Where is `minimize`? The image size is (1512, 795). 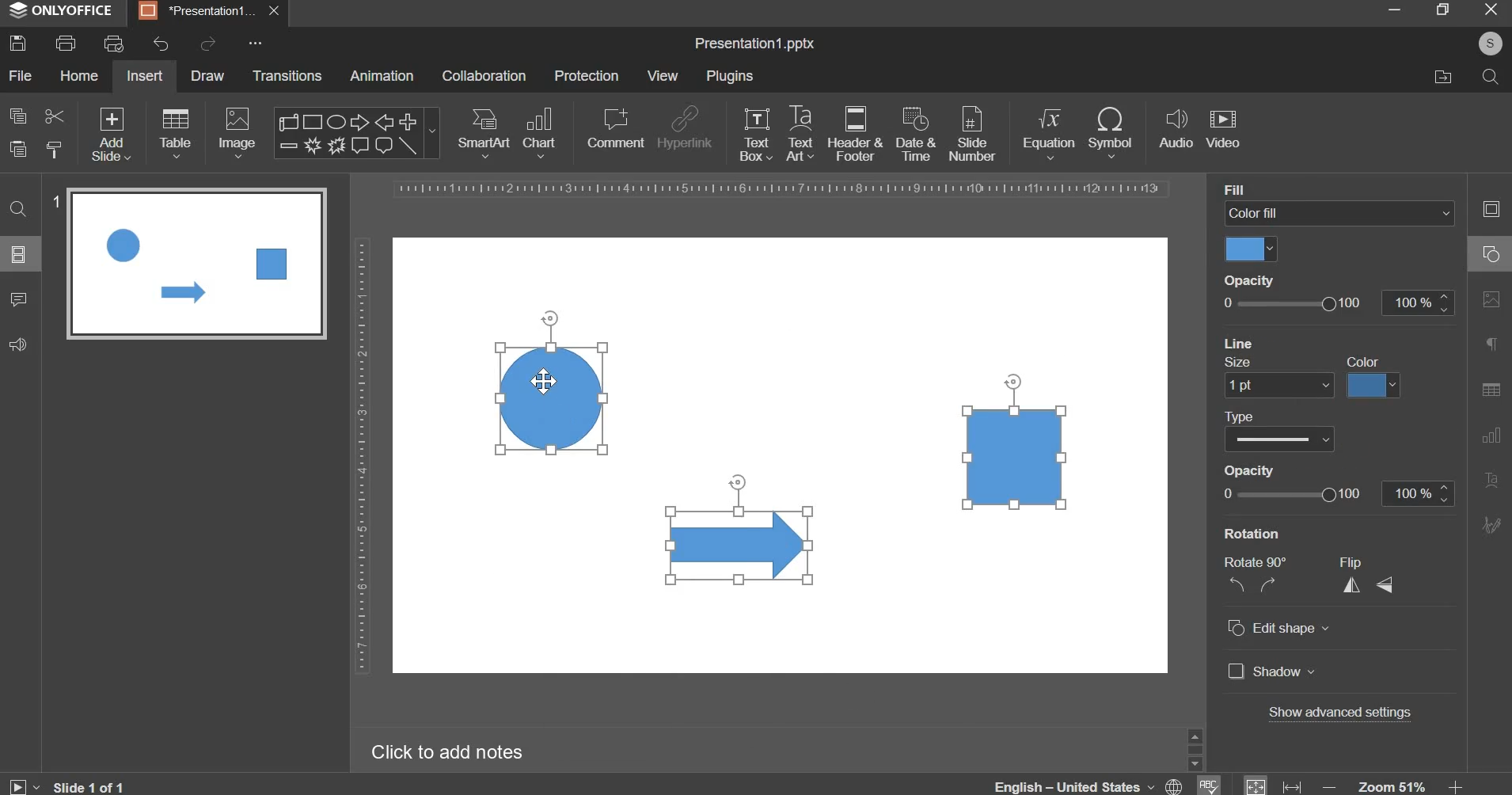
minimize is located at coordinates (1393, 9).